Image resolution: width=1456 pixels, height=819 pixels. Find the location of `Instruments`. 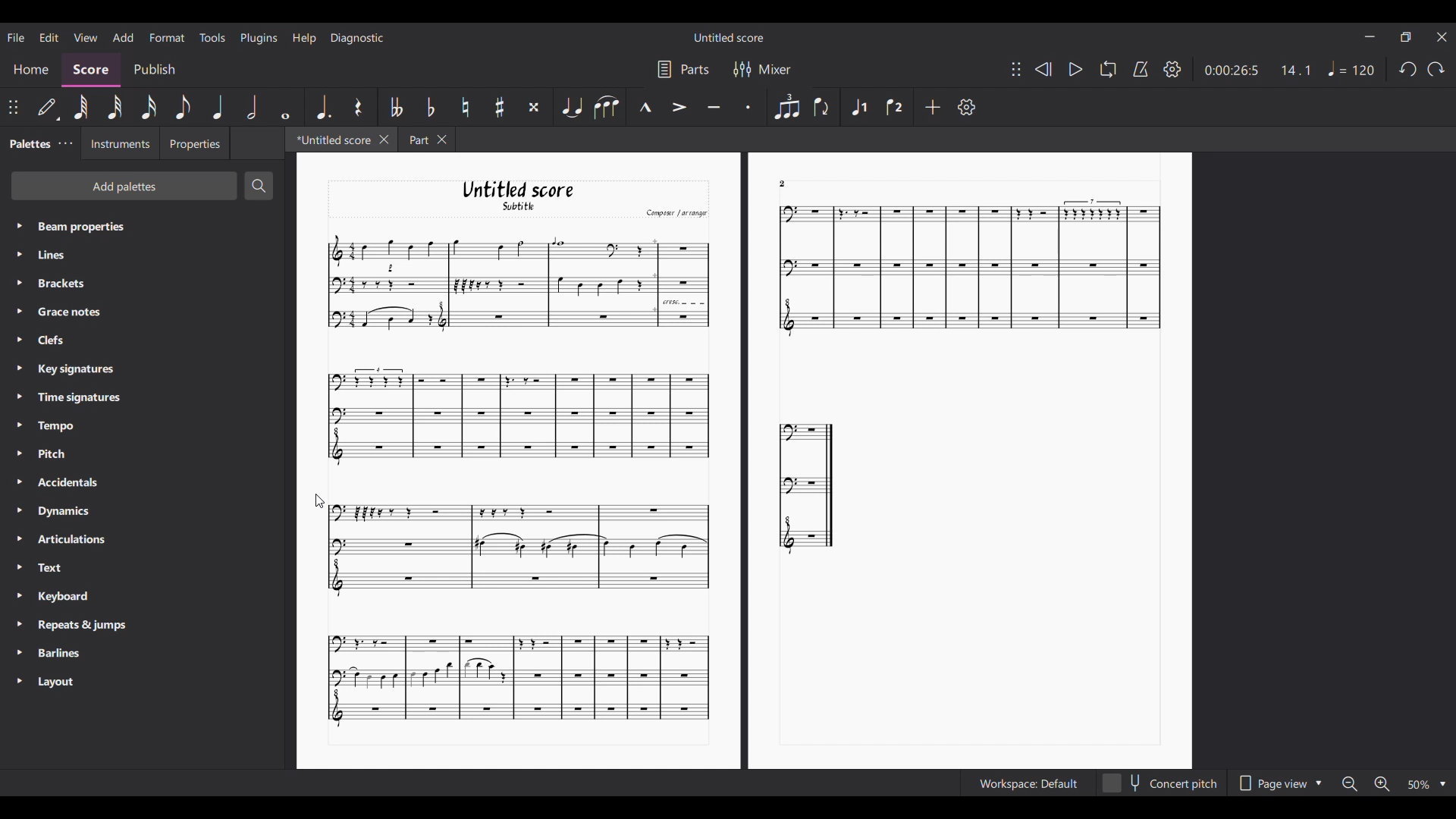

Instruments is located at coordinates (116, 143).